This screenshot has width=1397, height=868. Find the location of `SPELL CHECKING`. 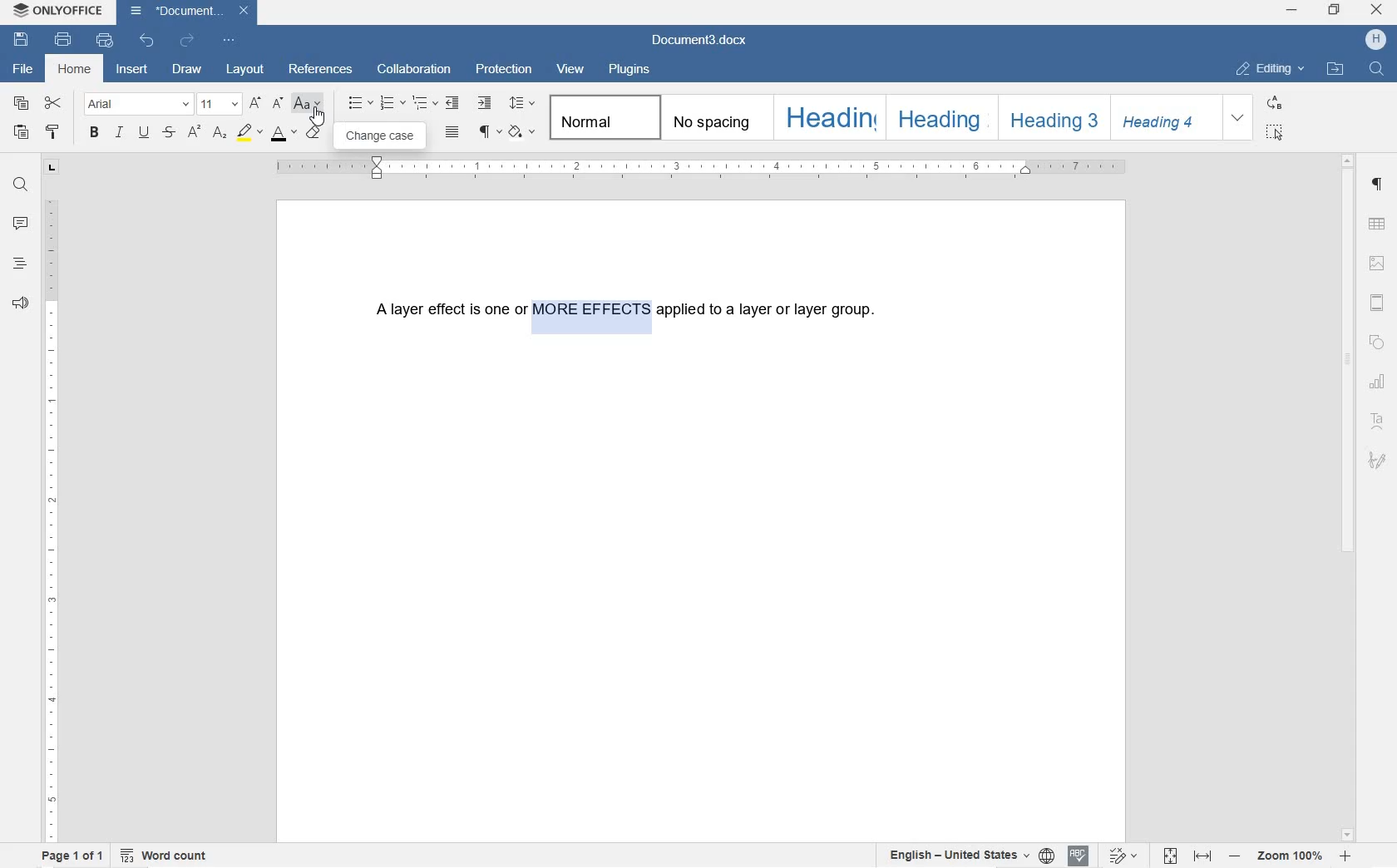

SPELL CHECKING is located at coordinates (1079, 855).